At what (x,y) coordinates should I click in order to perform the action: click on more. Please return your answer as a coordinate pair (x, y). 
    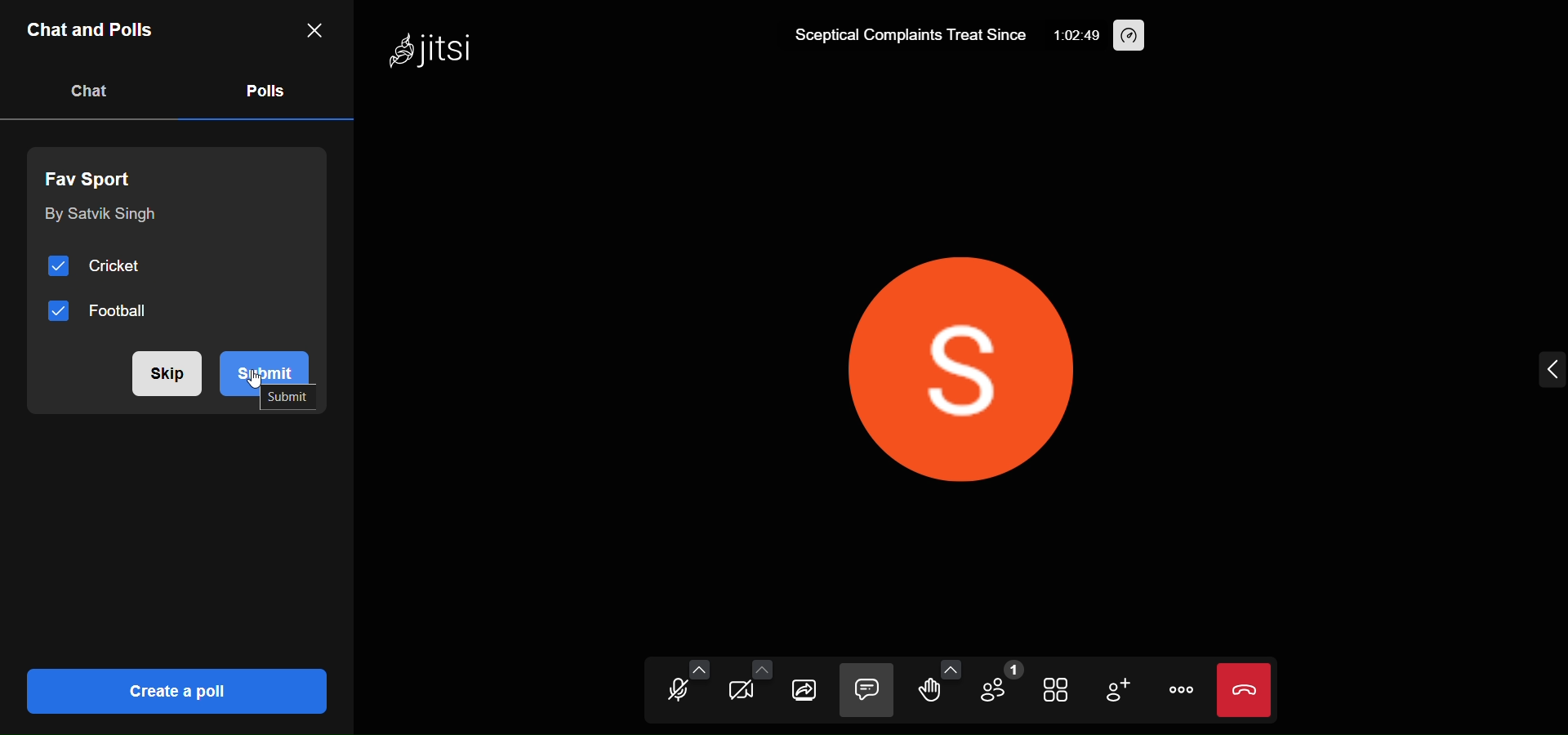
    Looking at the image, I should click on (1178, 689).